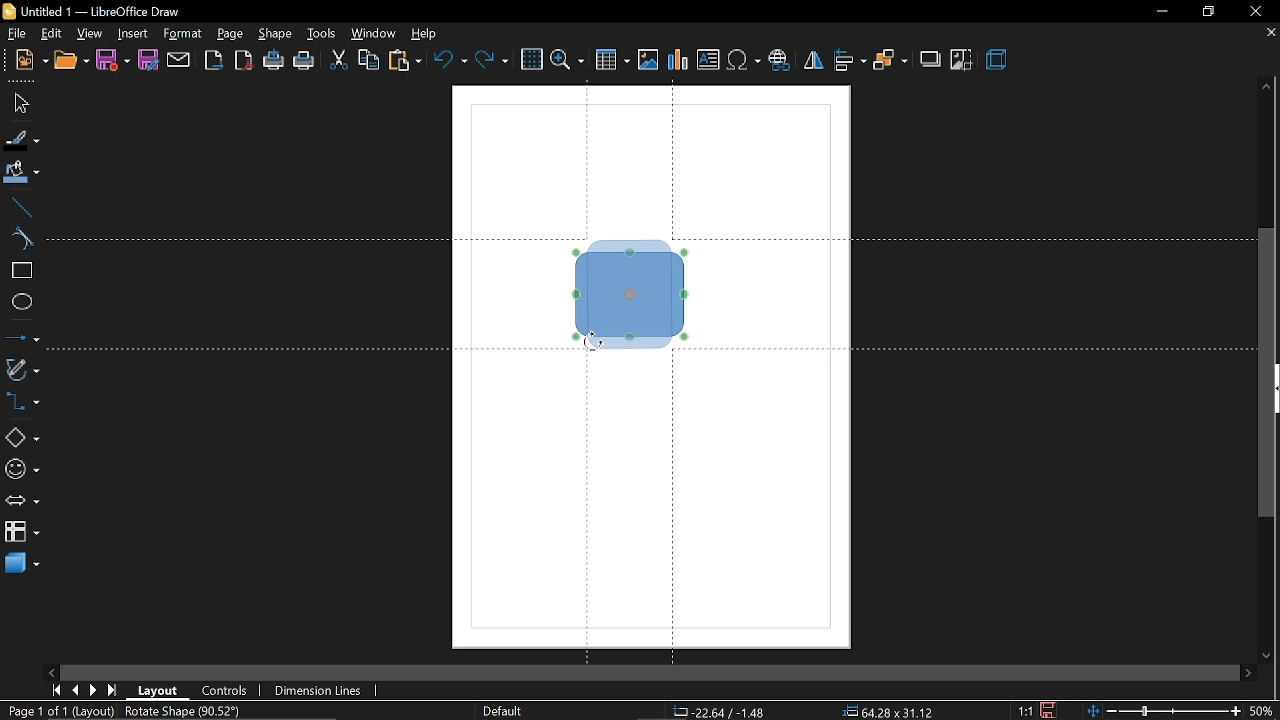 The width and height of the screenshot is (1280, 720). I want to click on vertical scrollbar, so click(1266, 373).